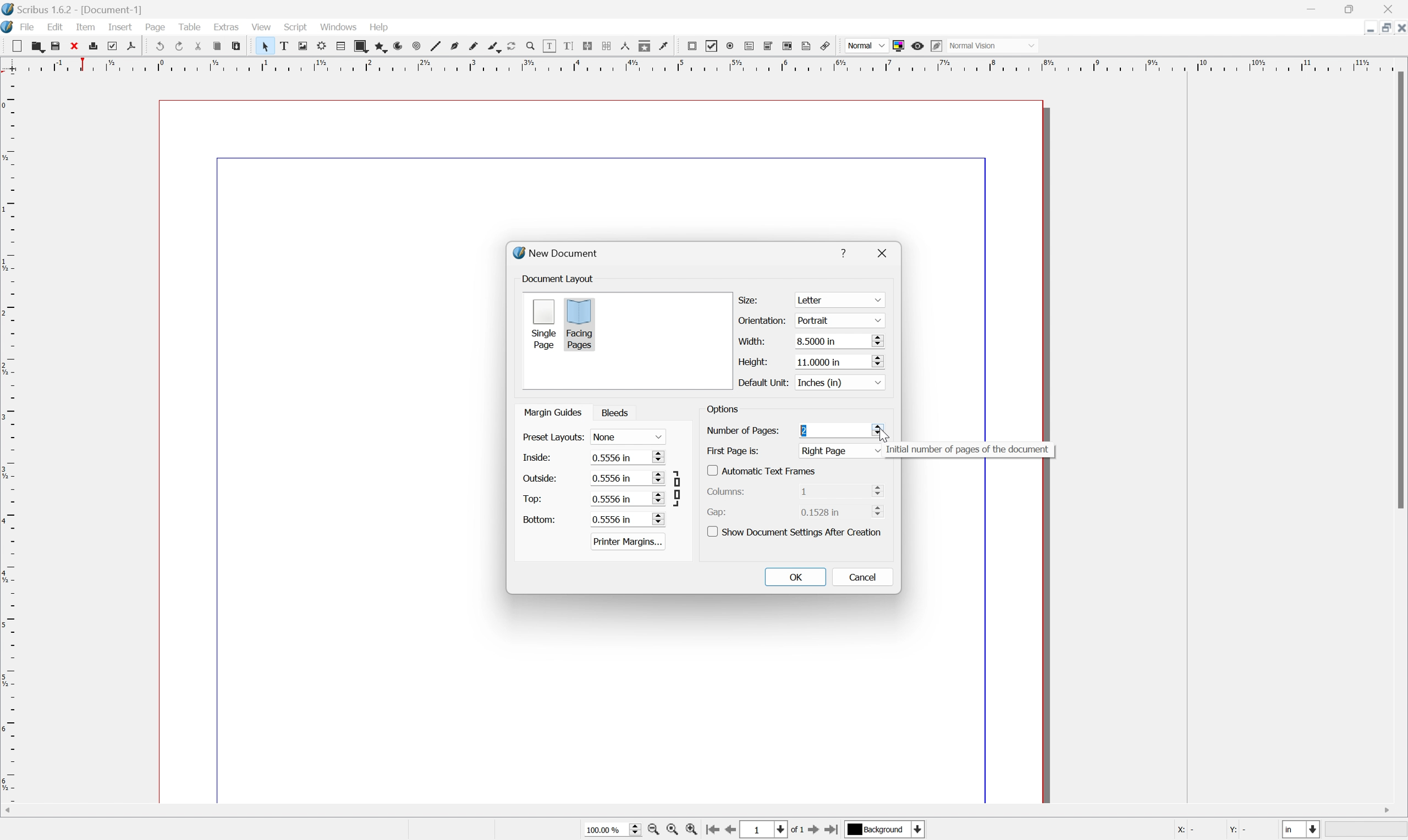 The height and width of the screenshot is (840, 1408). What do you see at coordinates (590, 46) in the screenshot?
I see `Link text text frames` at bounding box center [590, 46].